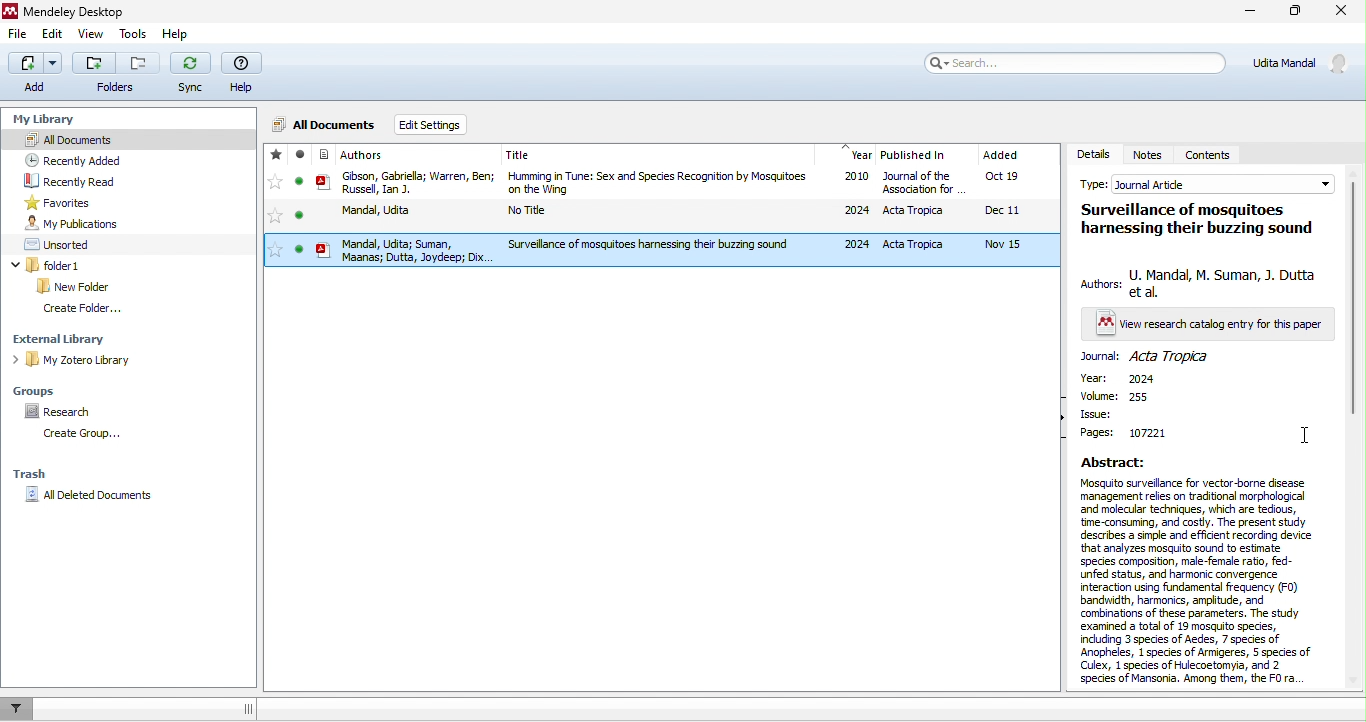 The height and width of the screenshot is (722, 1366). I want to click on Mandal, Udta; Suman, Surveilance of mosquitoes harnessing the buzzing sound 2024 Acta Tropica Nov 15.
1 Samal. Sanders, so click(670, 248).